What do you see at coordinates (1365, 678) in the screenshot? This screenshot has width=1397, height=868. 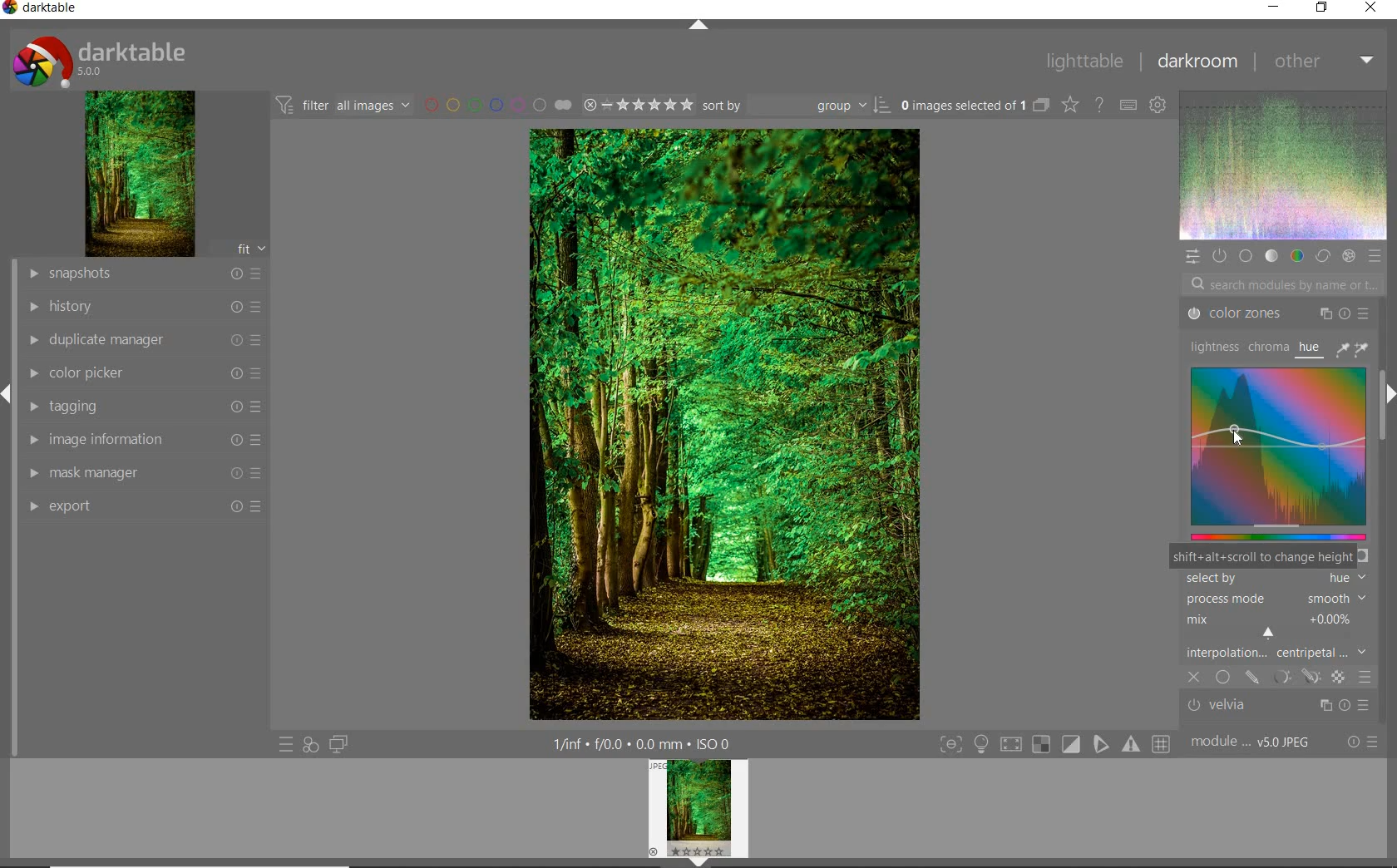 I see `blending options` at bounding box center [1365, 678].